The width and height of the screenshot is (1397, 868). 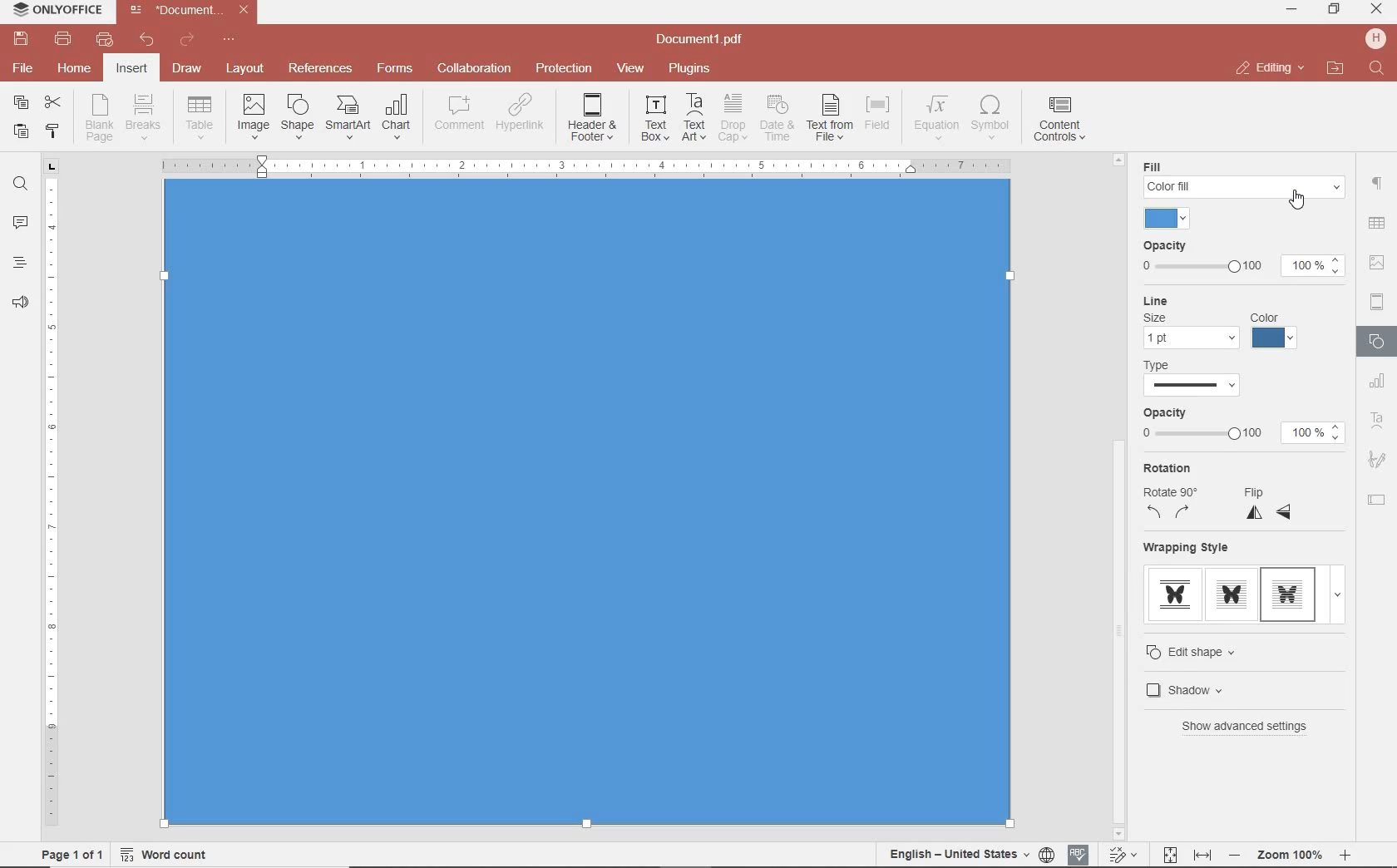 I want to click on FLIP, so click(x=1272, y=504).